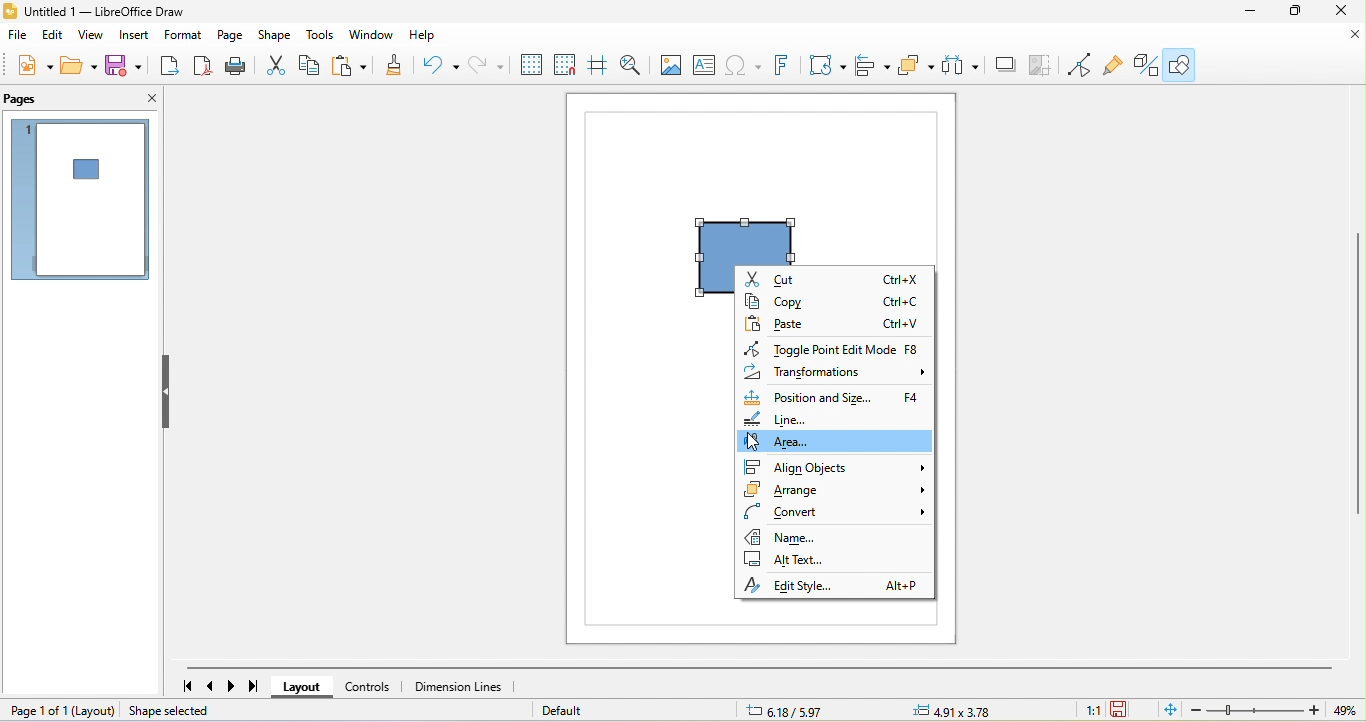  Describe the element at coordinates (563, 67) in the screenshot. I see `snap to grid` at that location.